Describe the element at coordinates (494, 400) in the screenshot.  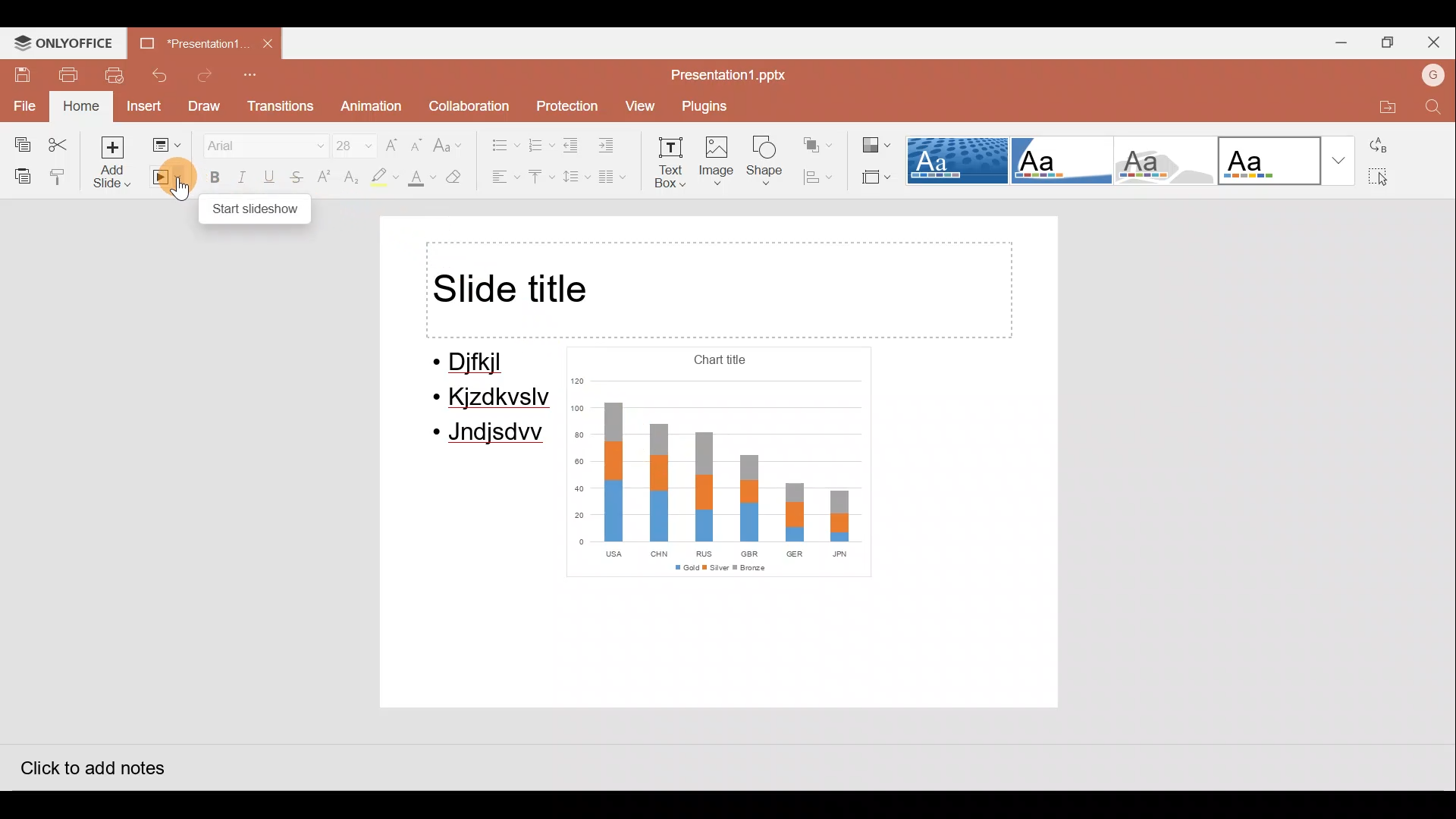
I see `Kjzdkvslv` at that location.